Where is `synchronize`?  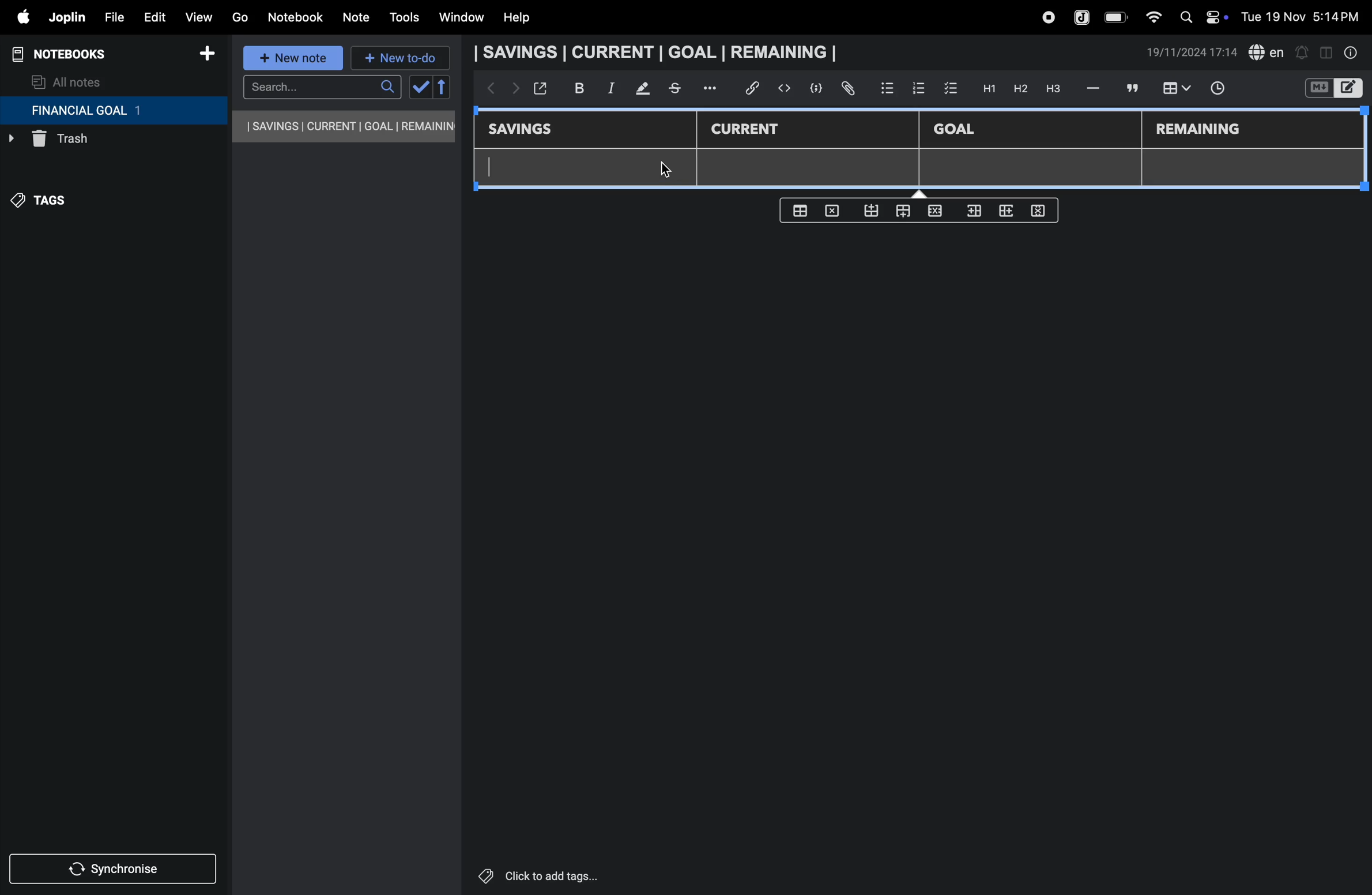 synchronize is located at coordinates (114, 867).